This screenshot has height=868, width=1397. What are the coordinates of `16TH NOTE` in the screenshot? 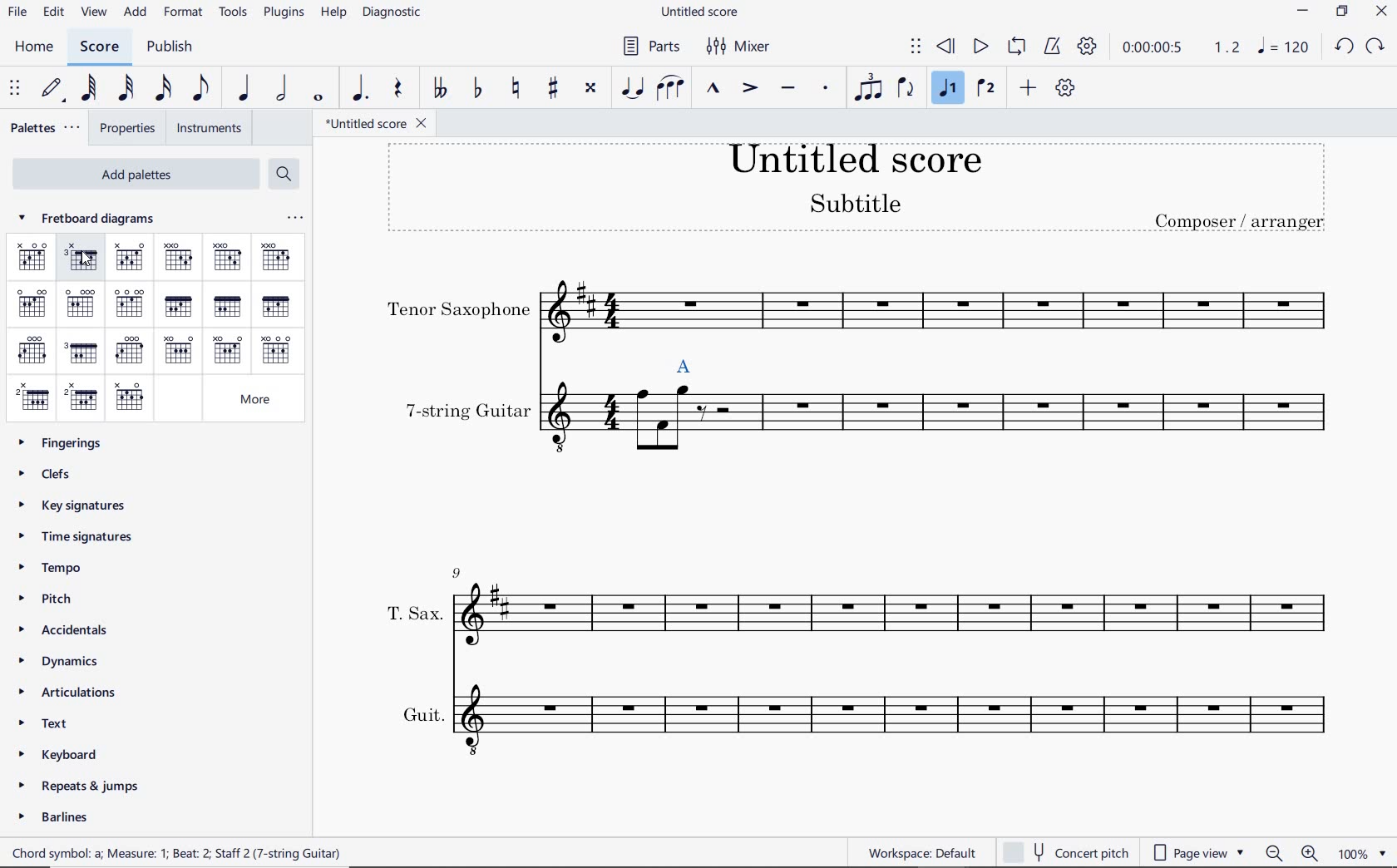 It's located at (161, 89).